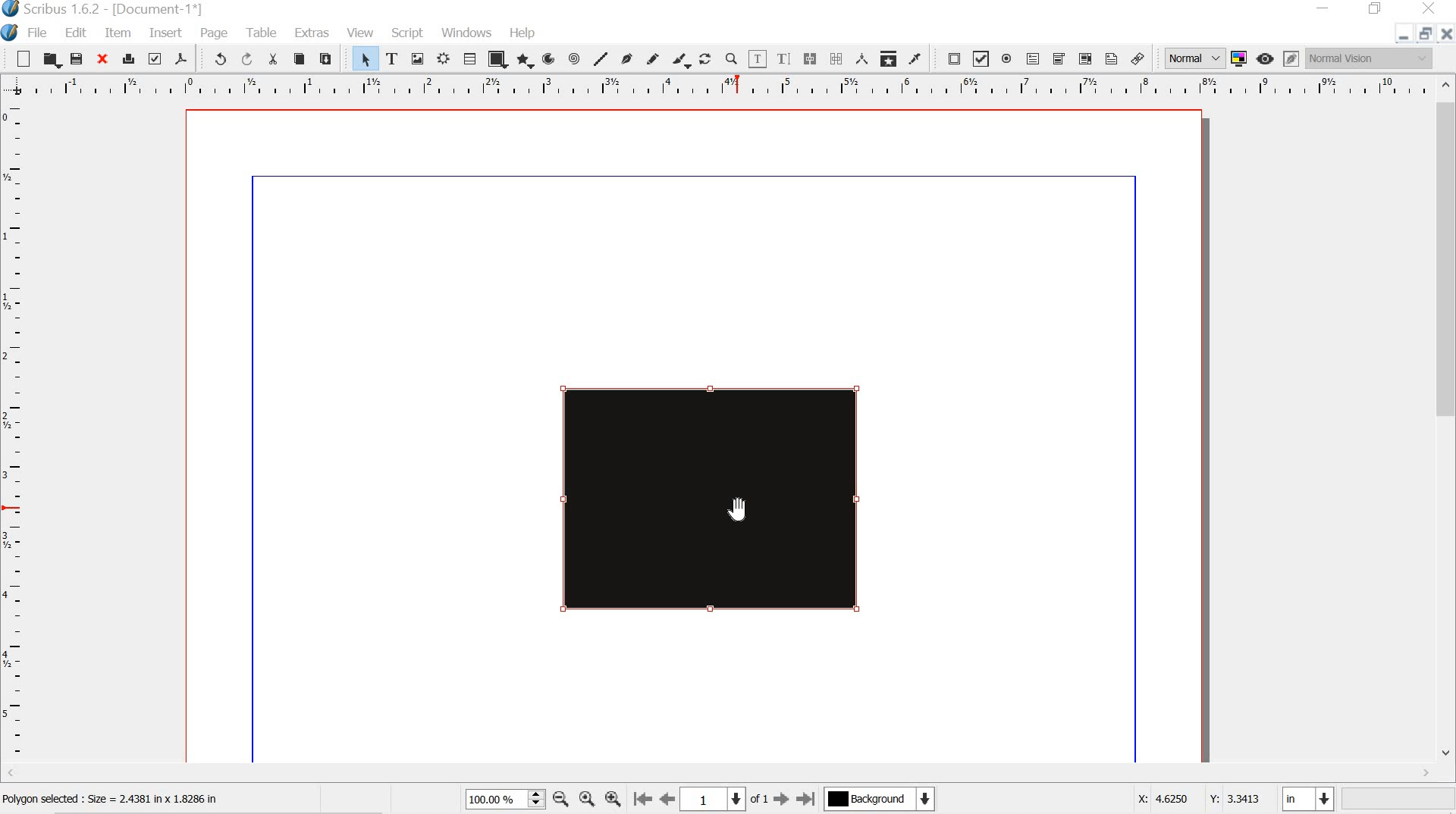  What do you see at coordinates (181, 59) in the screenshot?
I see `save as pdf` at bounding box center [181, 59].